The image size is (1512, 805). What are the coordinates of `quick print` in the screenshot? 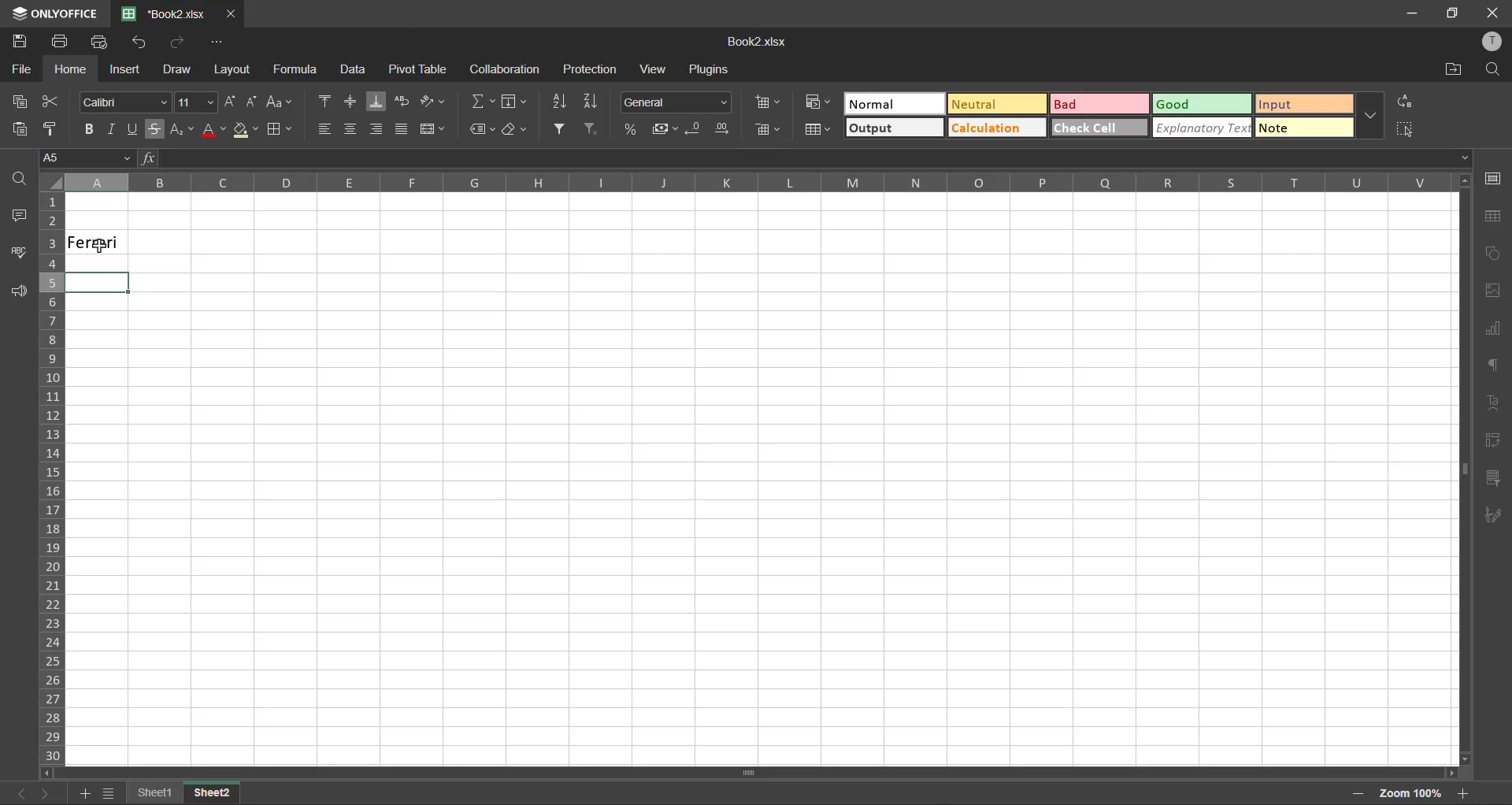 It's located at (97, 42).